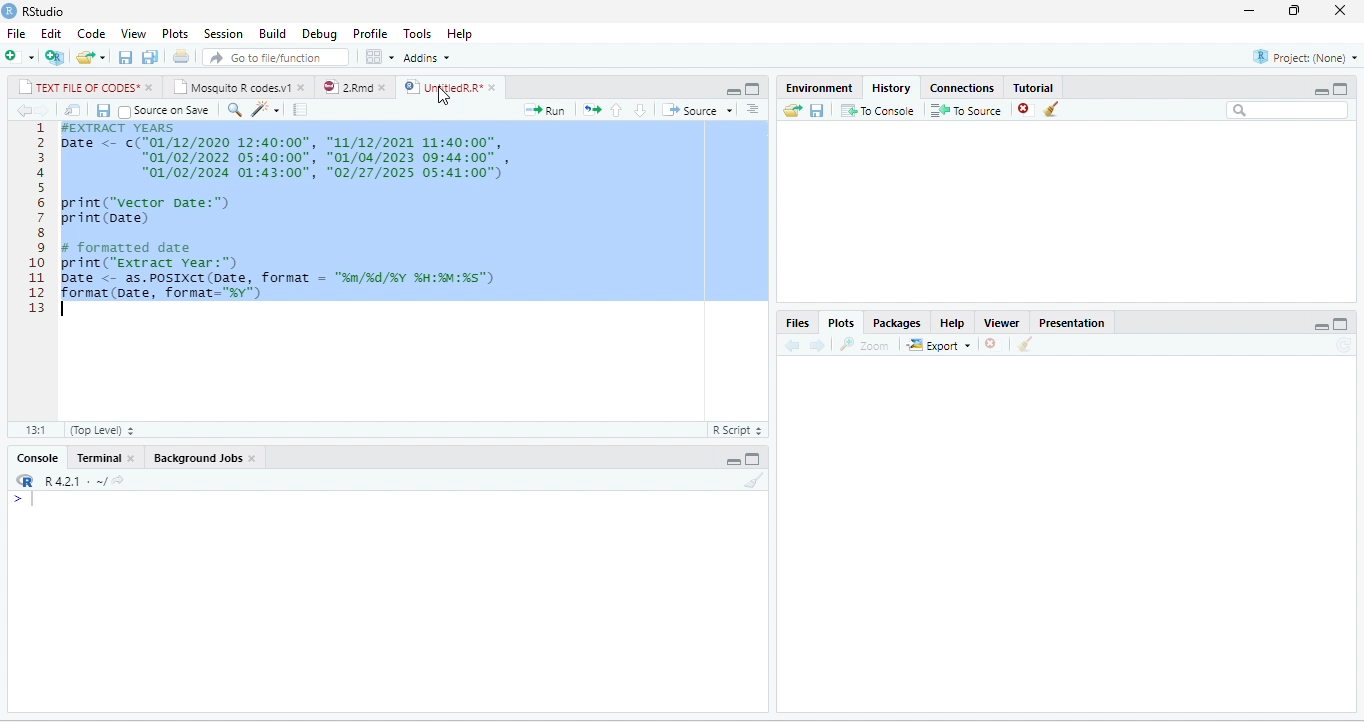 The height and width of the screenshot is (722, 1364). What do you see at coordinates (698, 110) in the screenshot?
I see `Source` at bounding box center [698, 110].